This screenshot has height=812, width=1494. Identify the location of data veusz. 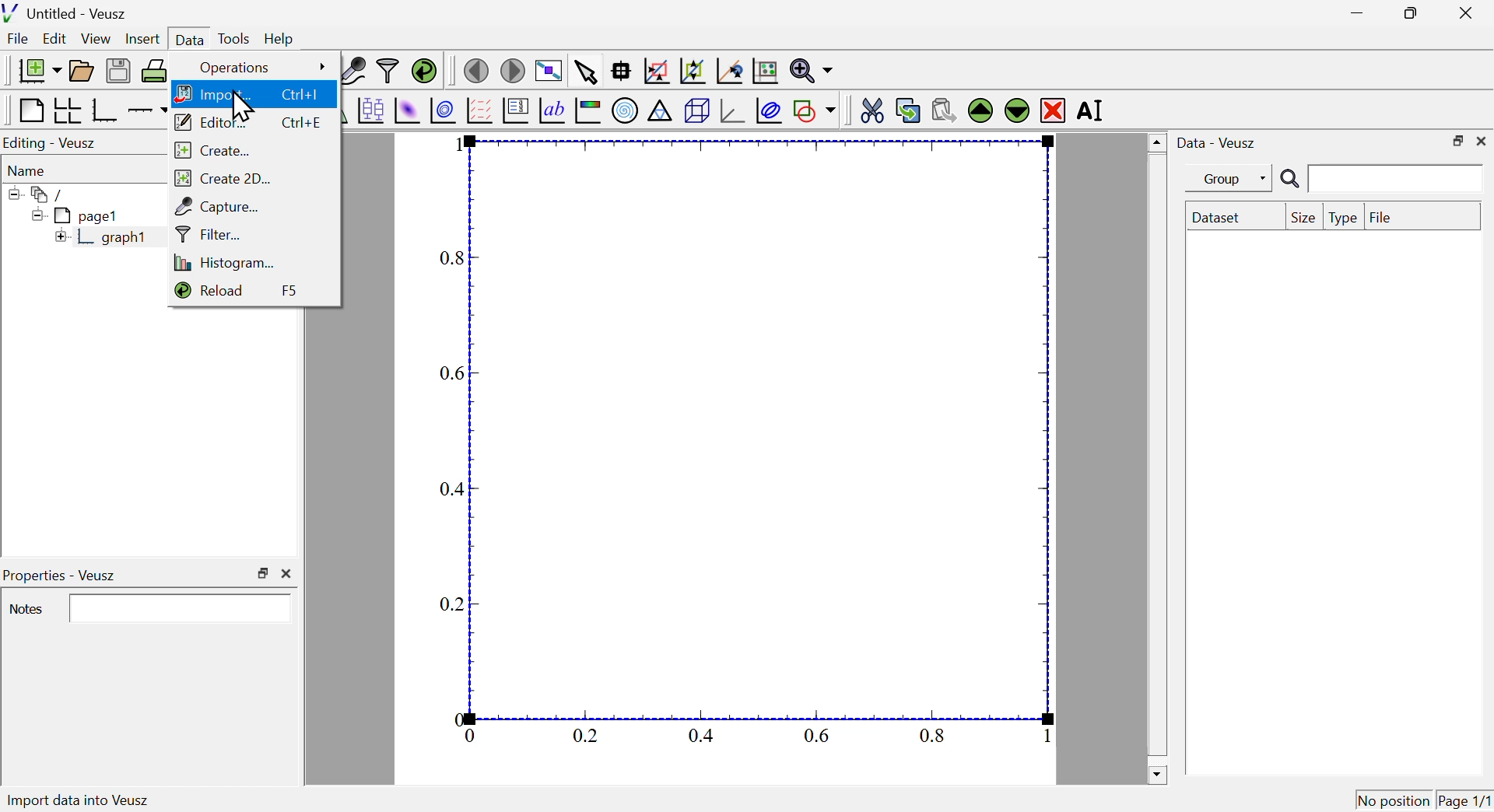
(1217, 142).